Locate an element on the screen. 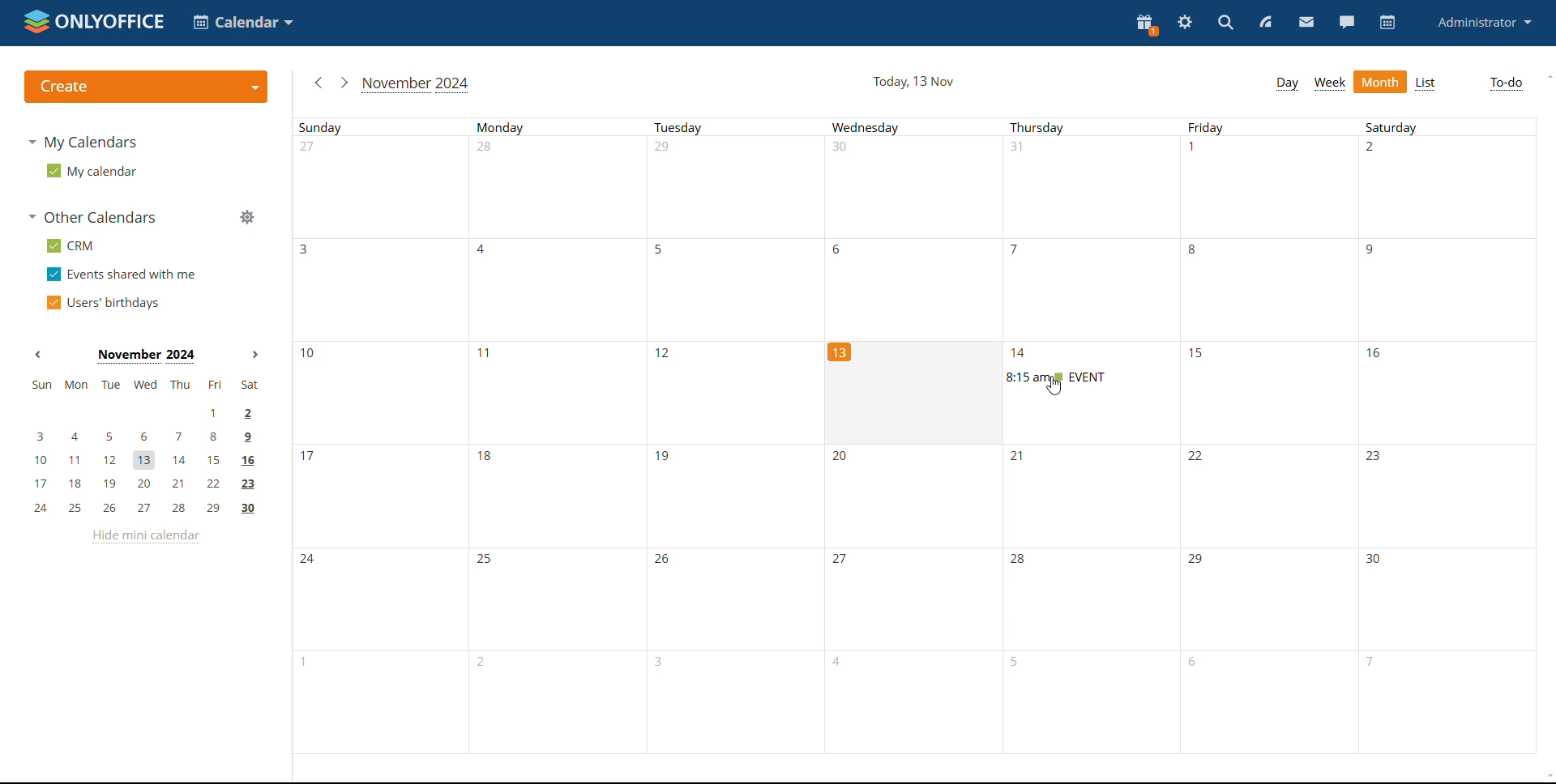  search is located at coordinates (1228, 23).